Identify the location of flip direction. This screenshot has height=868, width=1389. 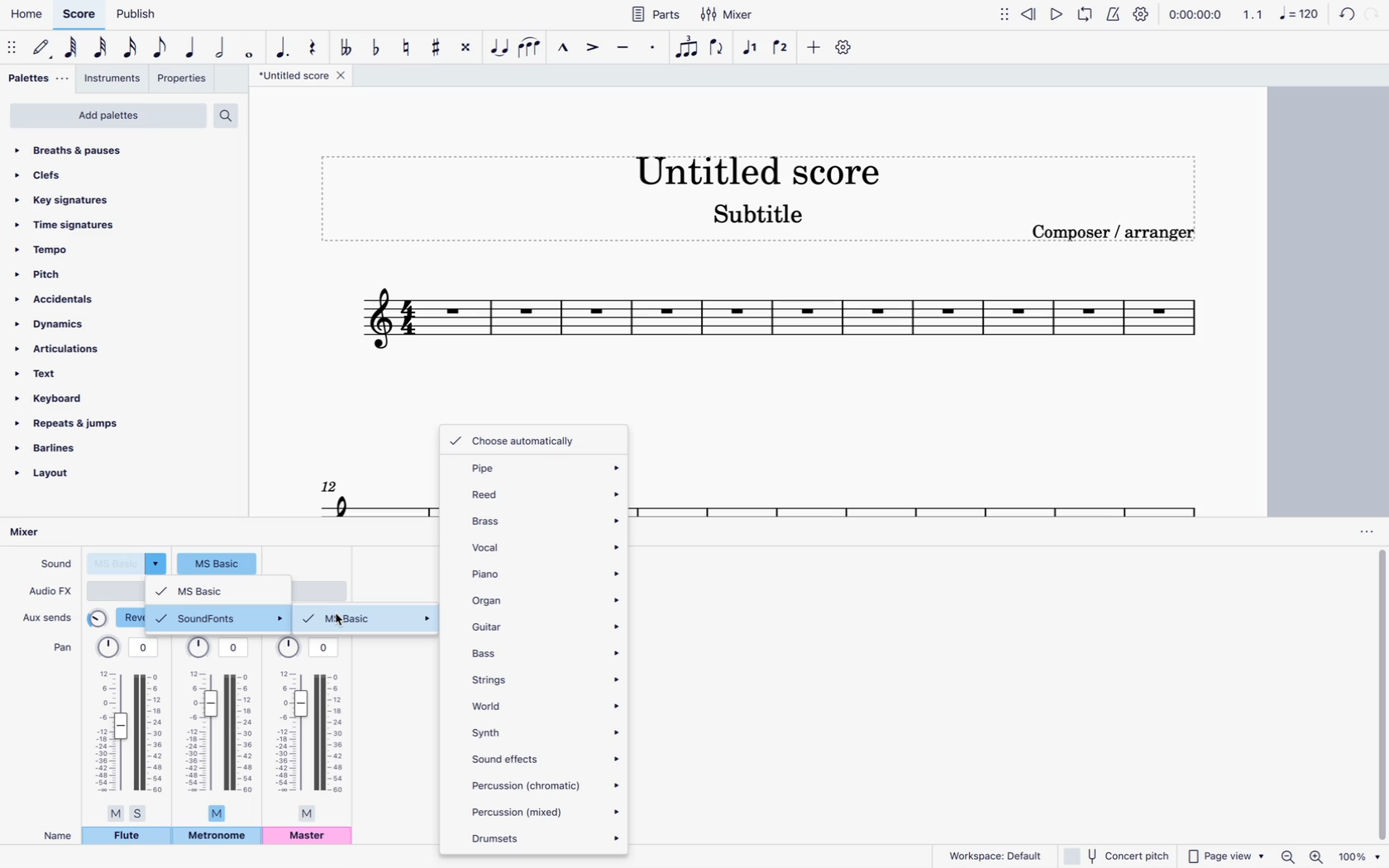
(719, 48).